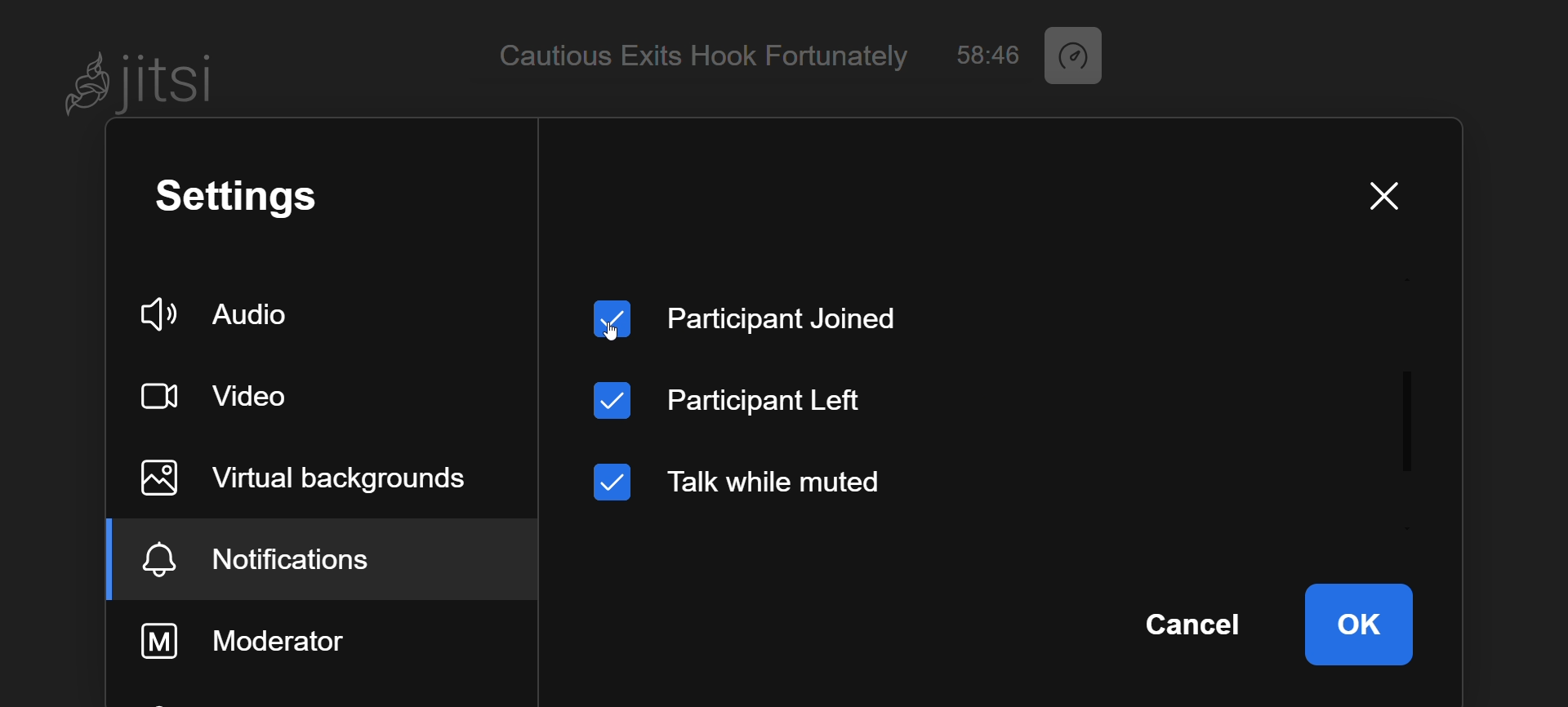  What do you see at coordinates (288, 562) in the screenshot?
I see `notification` at bounding box center [288, 562].